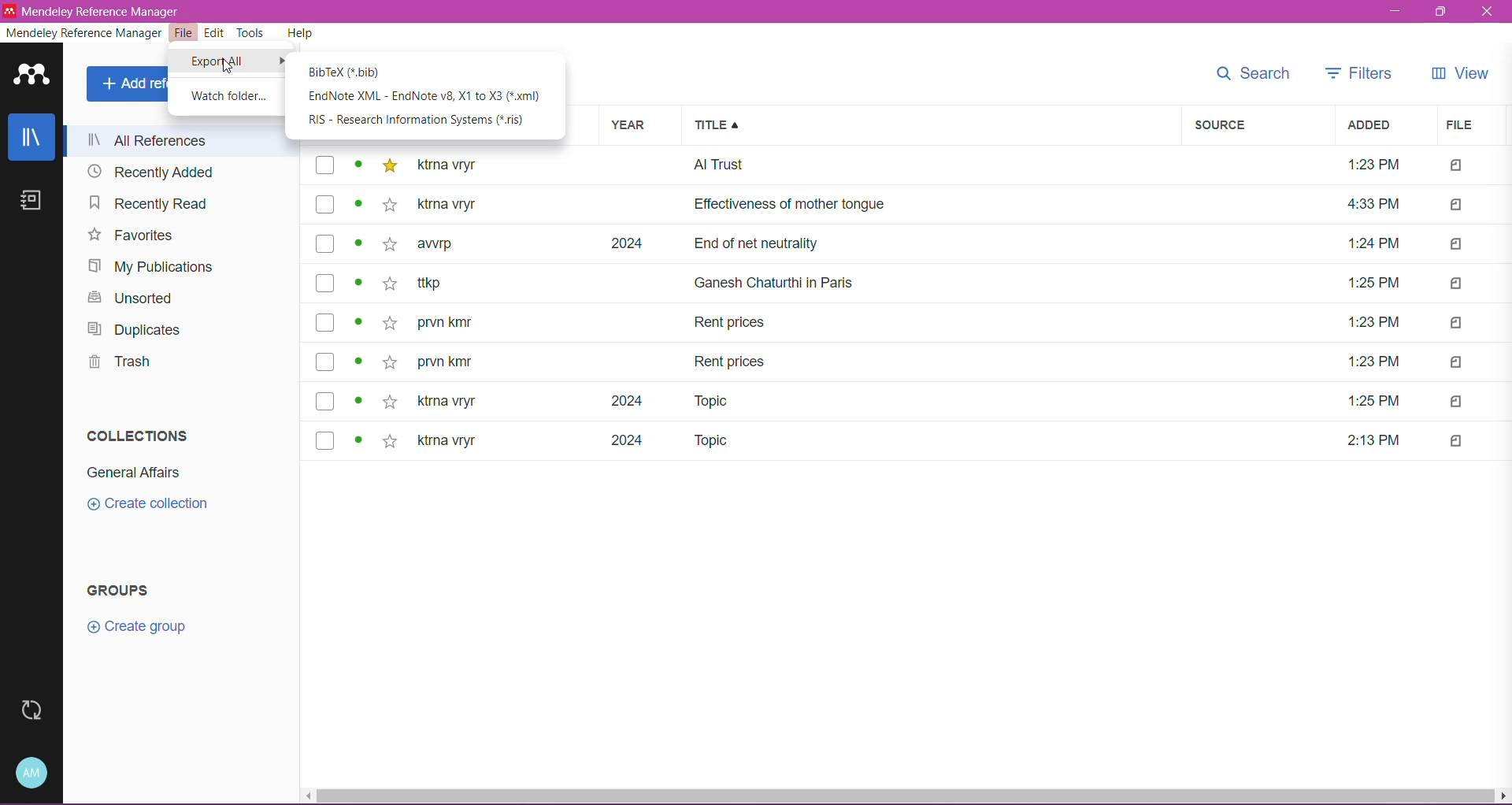  I want to click on BibTex(*.bib), so click(346, 72).